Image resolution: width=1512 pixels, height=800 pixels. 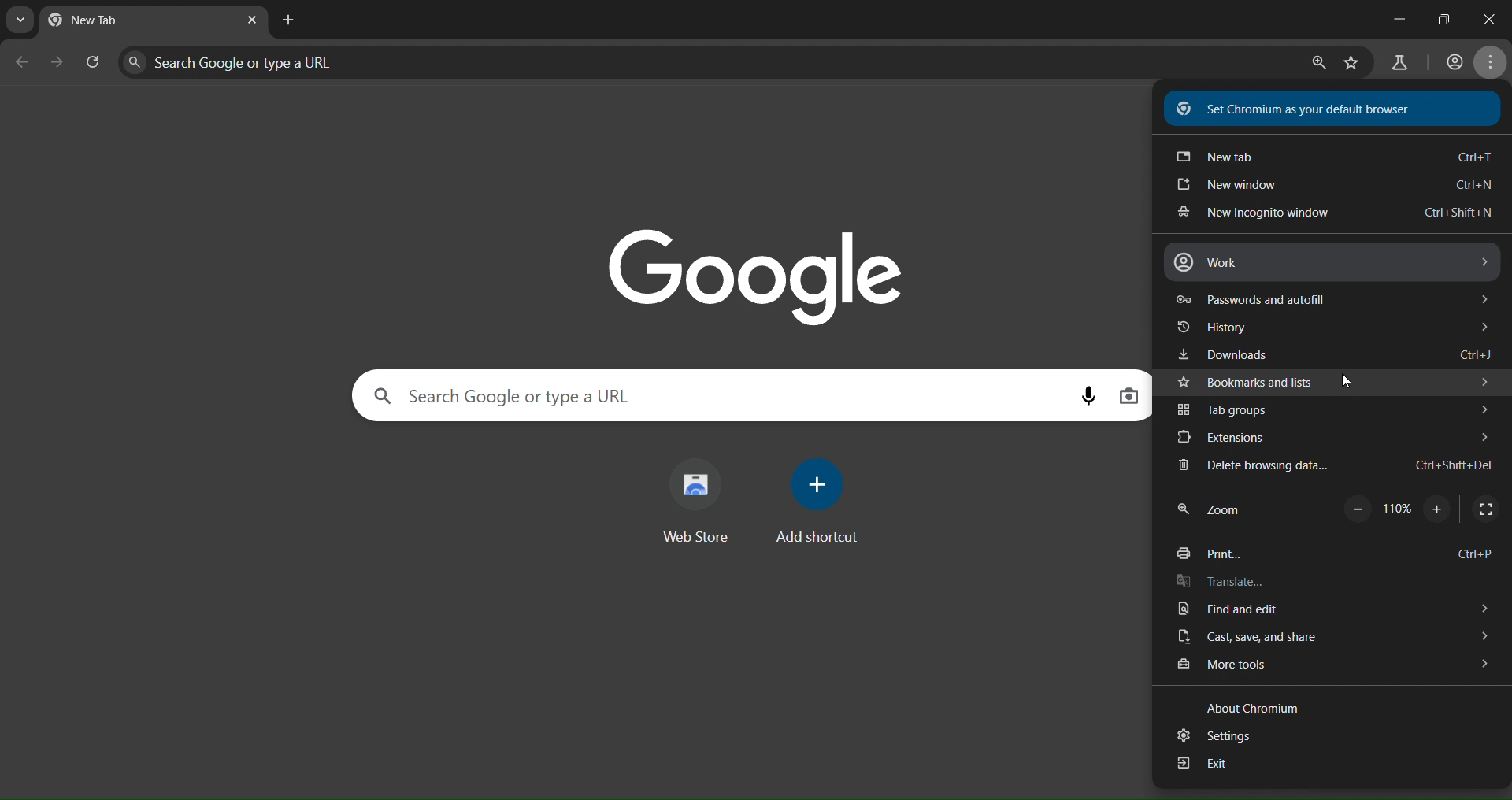 What do you see at coordinates (285, 20) in the screenshot?
I see `new tab` at bounding box center [285, 20].